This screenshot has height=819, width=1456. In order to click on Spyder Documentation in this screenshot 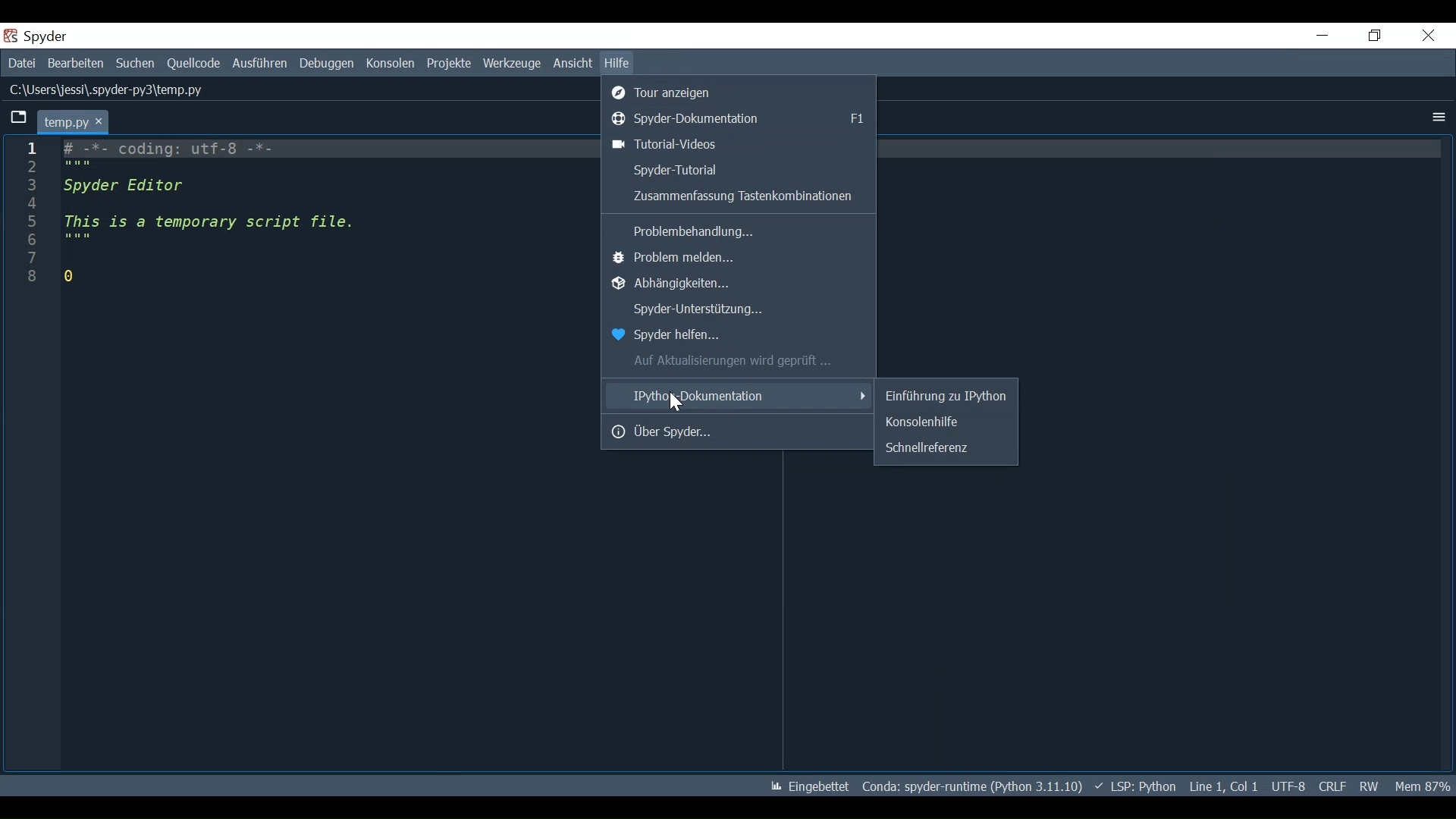, I will do `click(741, 118)`.